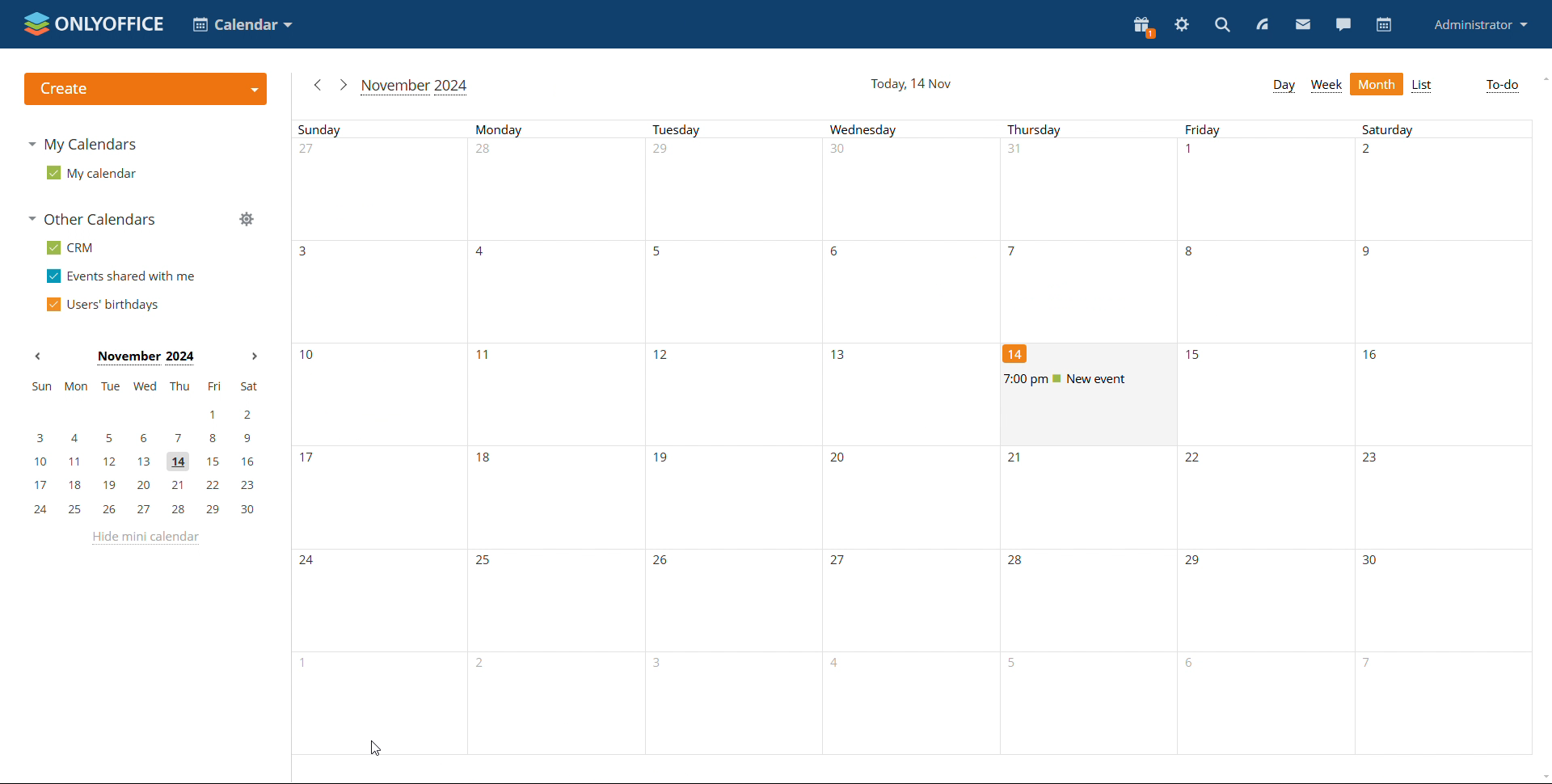 This screenshot has height=784, width=1552. What do you see at coordinates (485, 461) in the screenshot?
I see `number` at bounding box center [485, 461].